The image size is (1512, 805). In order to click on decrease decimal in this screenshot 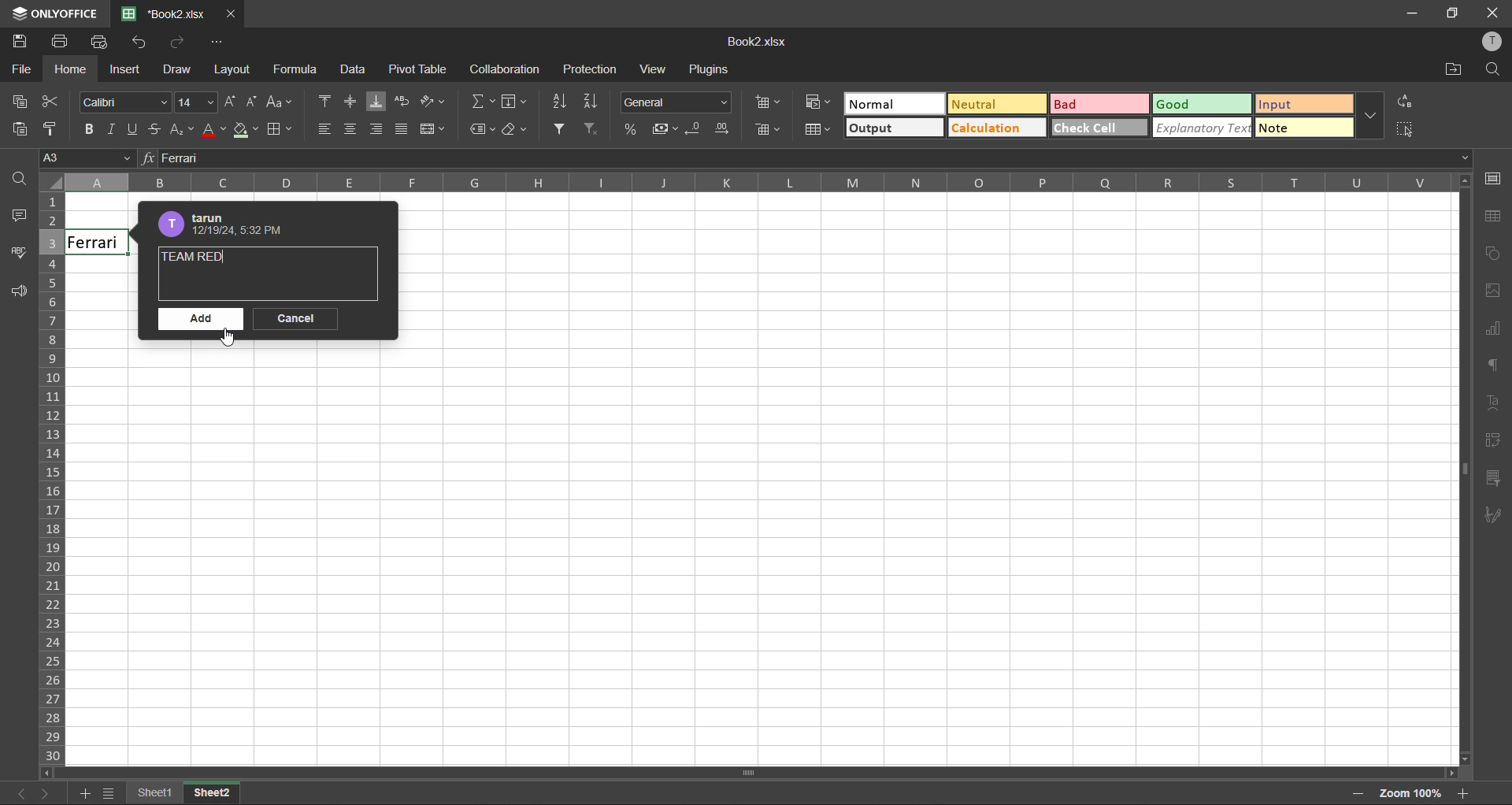, I will do `click(698, 129)`.